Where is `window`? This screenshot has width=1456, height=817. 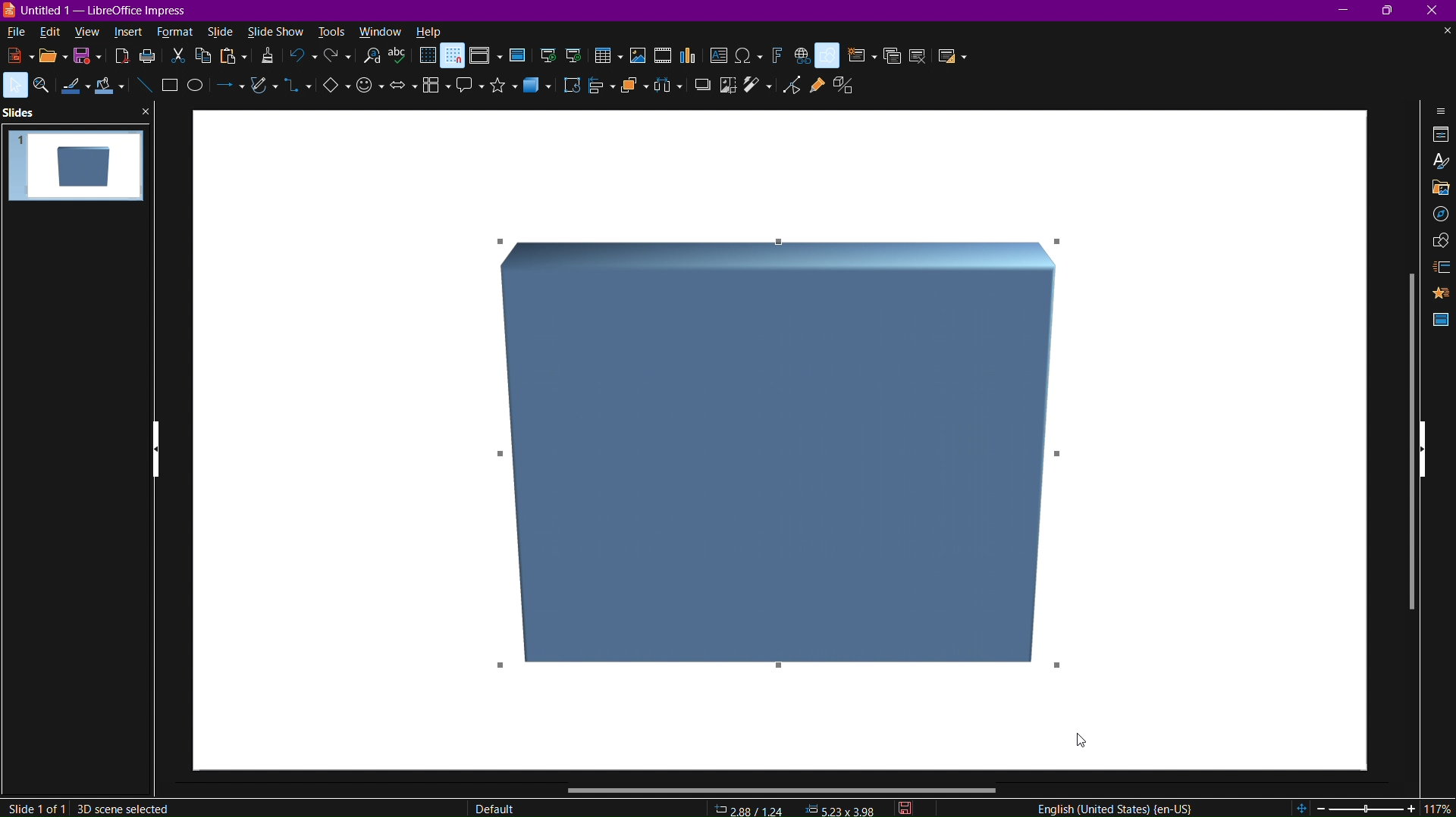
window is located at coordinates (379, 30).